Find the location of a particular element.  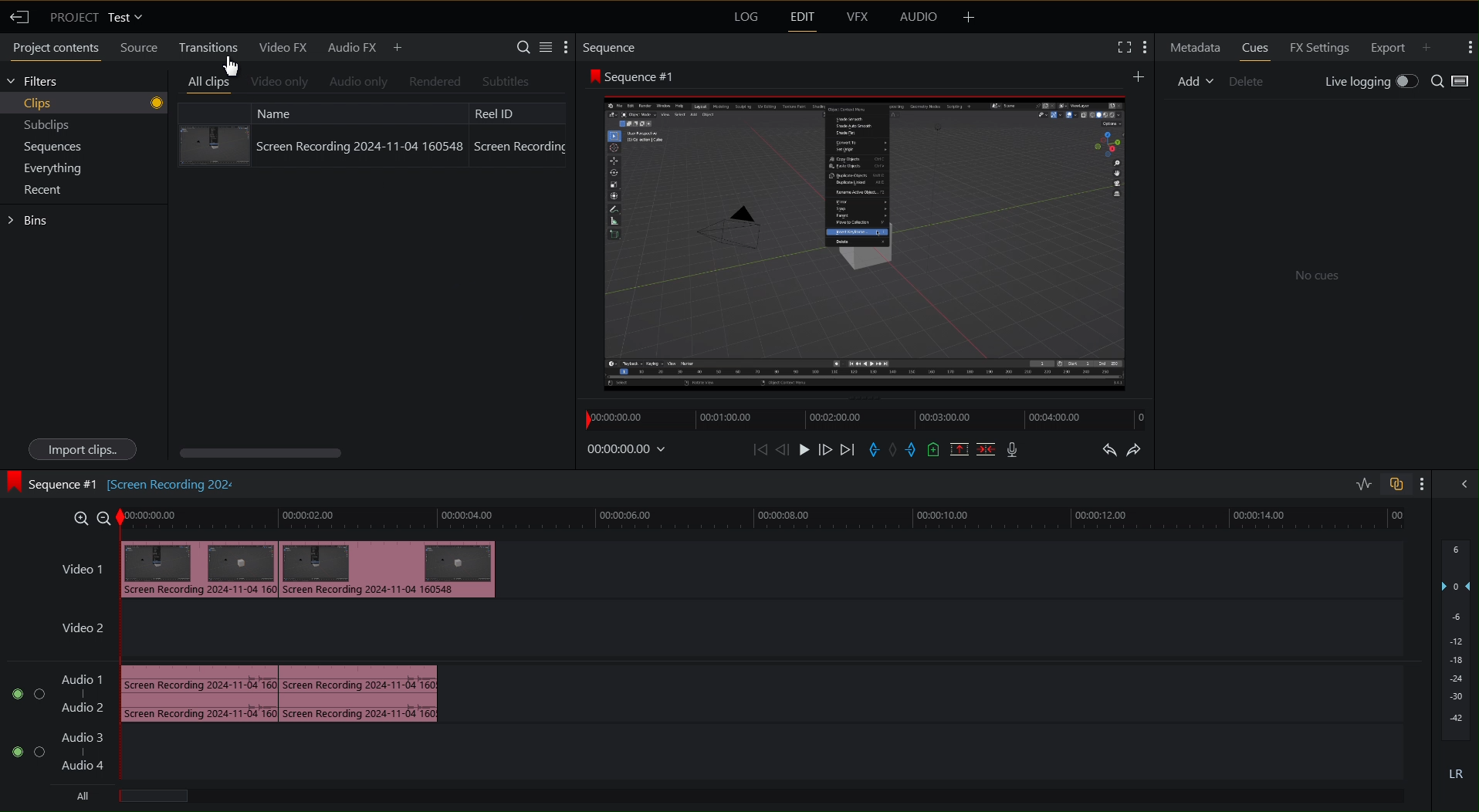

Horizontal scroll bar is located at coordinates (259, 454).